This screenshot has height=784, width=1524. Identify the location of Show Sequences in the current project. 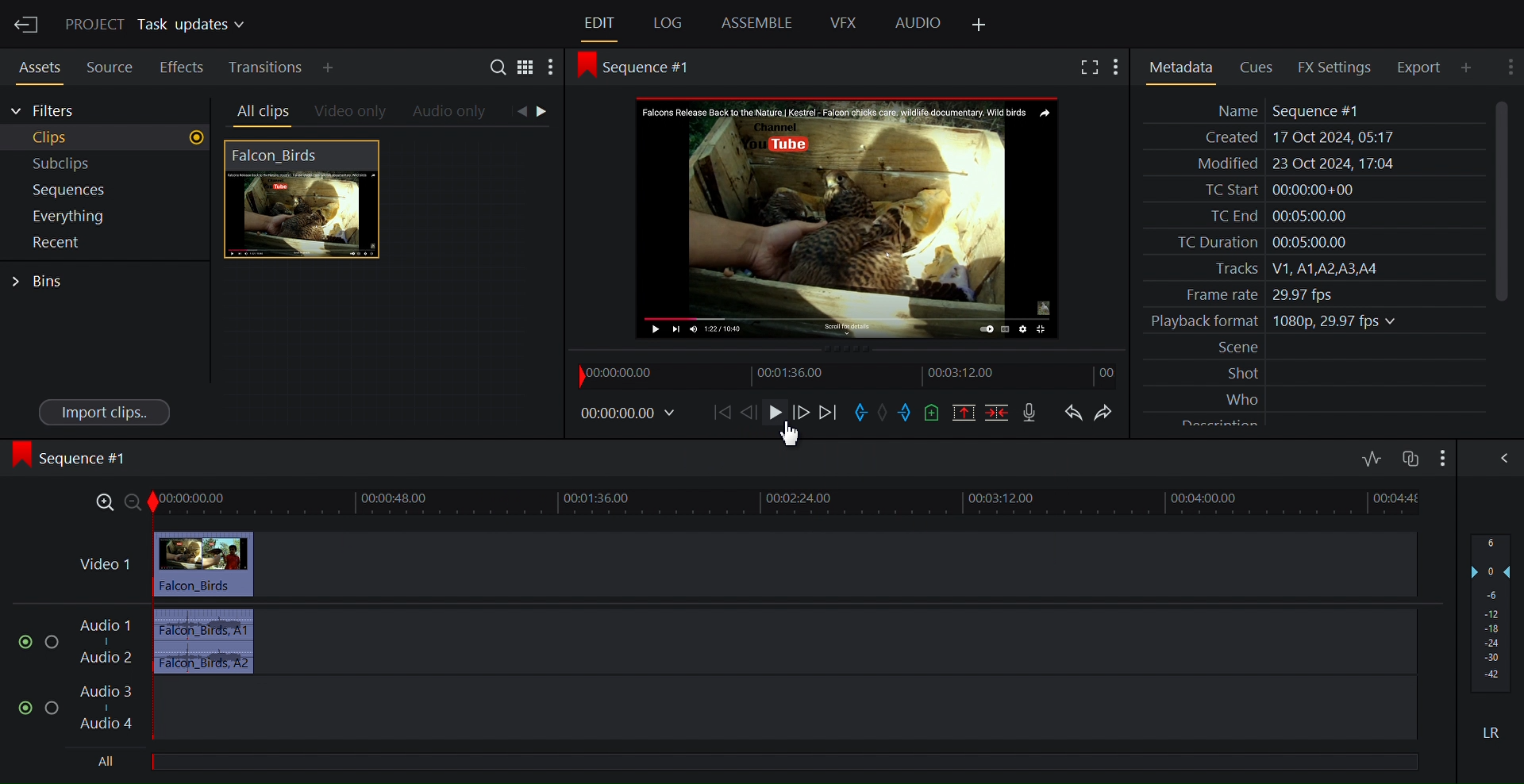
(106, 190).